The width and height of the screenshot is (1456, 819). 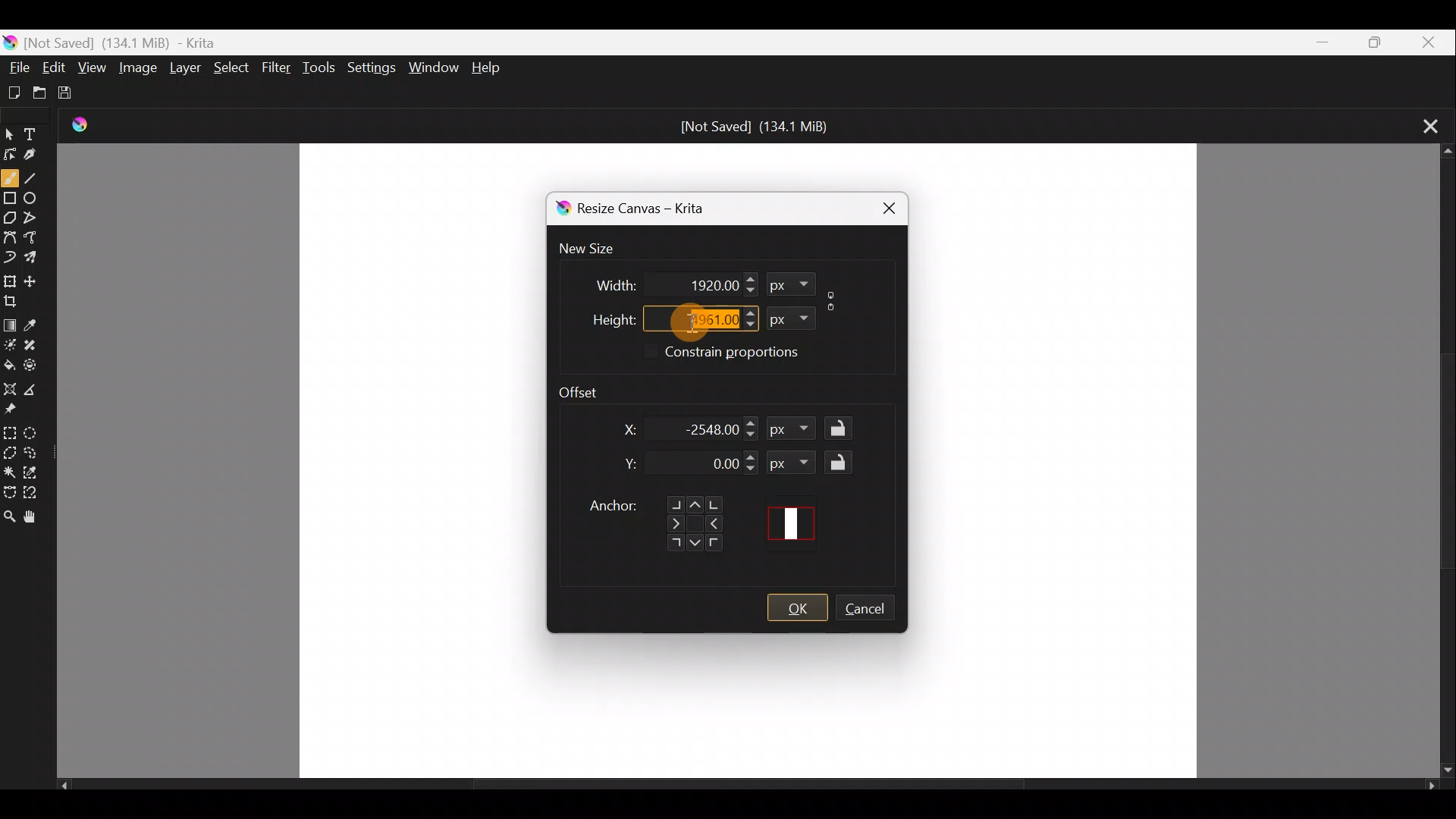 I want to click on Bezier curve tool, so click(x=11, y=235).